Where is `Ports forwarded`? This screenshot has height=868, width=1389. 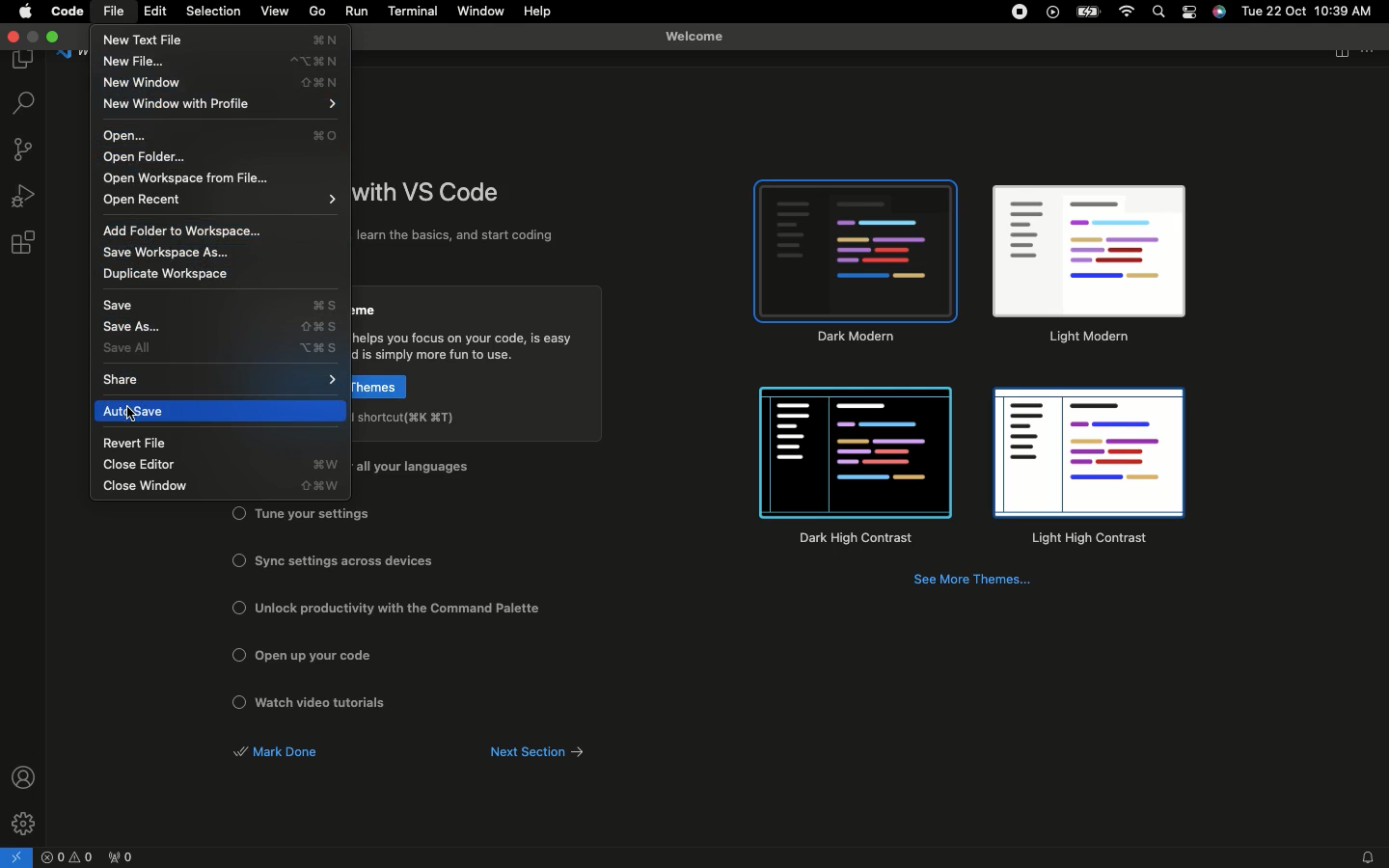 Ports forwarded is located at coordinates (125, 858).